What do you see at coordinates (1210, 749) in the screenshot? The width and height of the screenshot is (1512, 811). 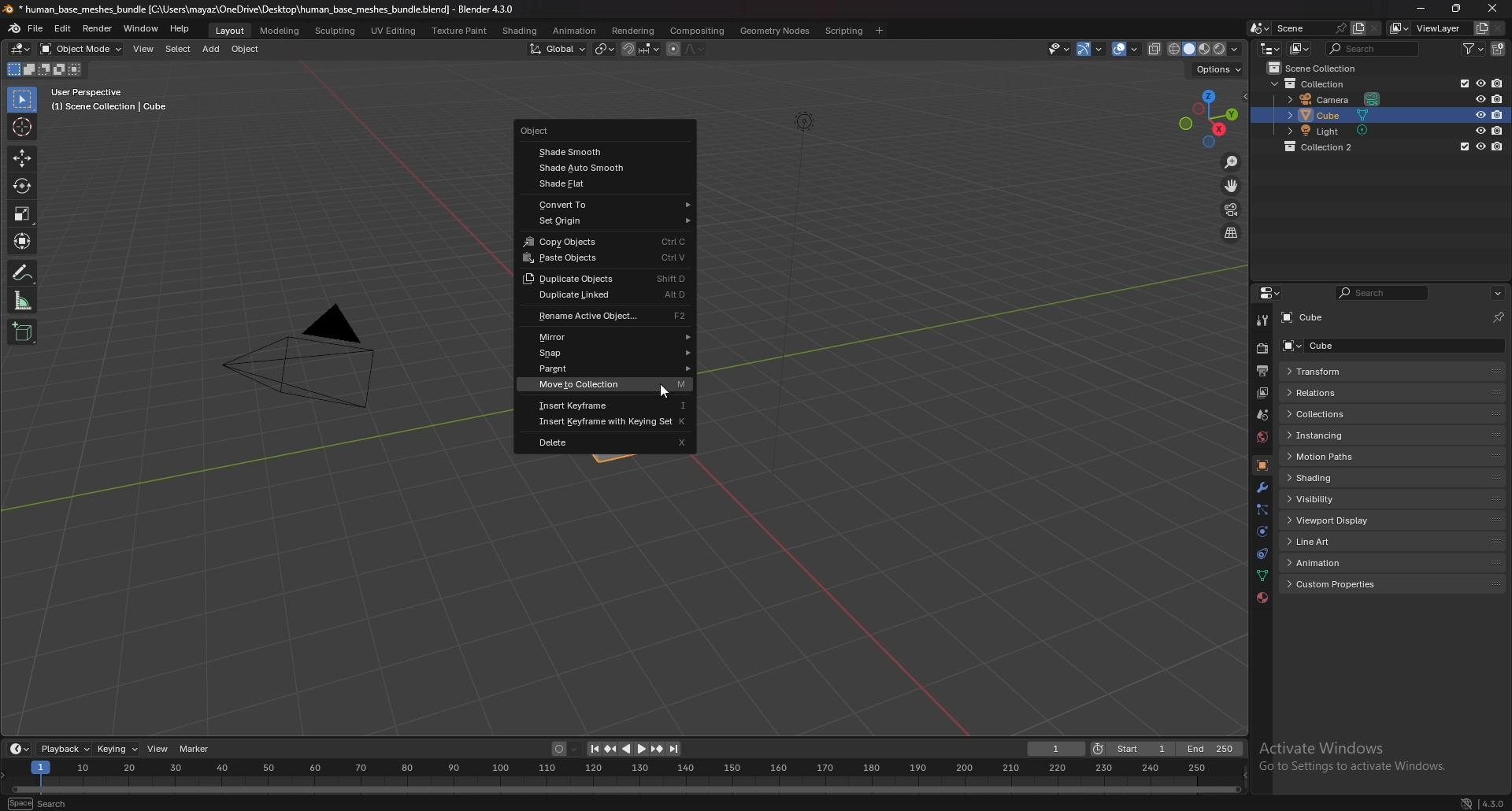 I see `end` at bounding box center [1210, 749].